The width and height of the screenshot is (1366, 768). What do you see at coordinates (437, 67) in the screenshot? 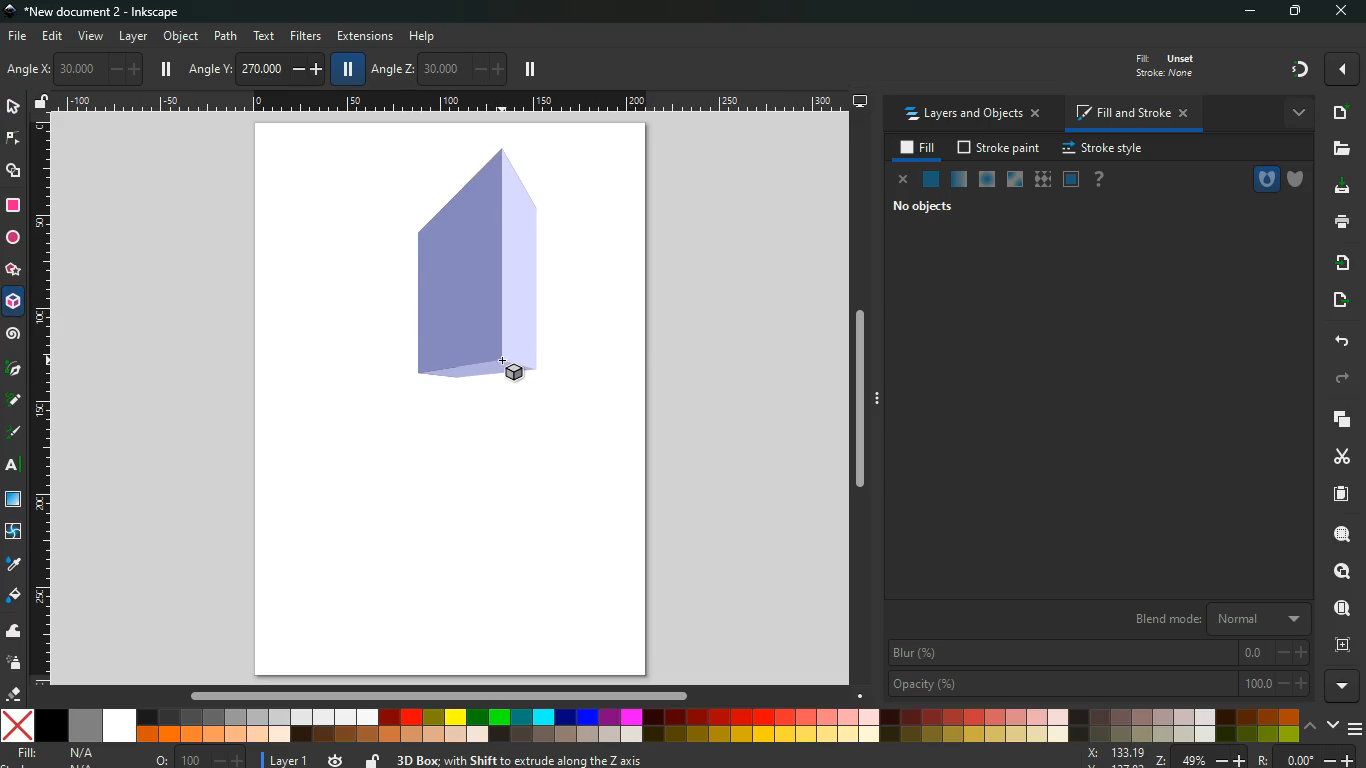
I see `angle z` at bounding box center [437, 67].